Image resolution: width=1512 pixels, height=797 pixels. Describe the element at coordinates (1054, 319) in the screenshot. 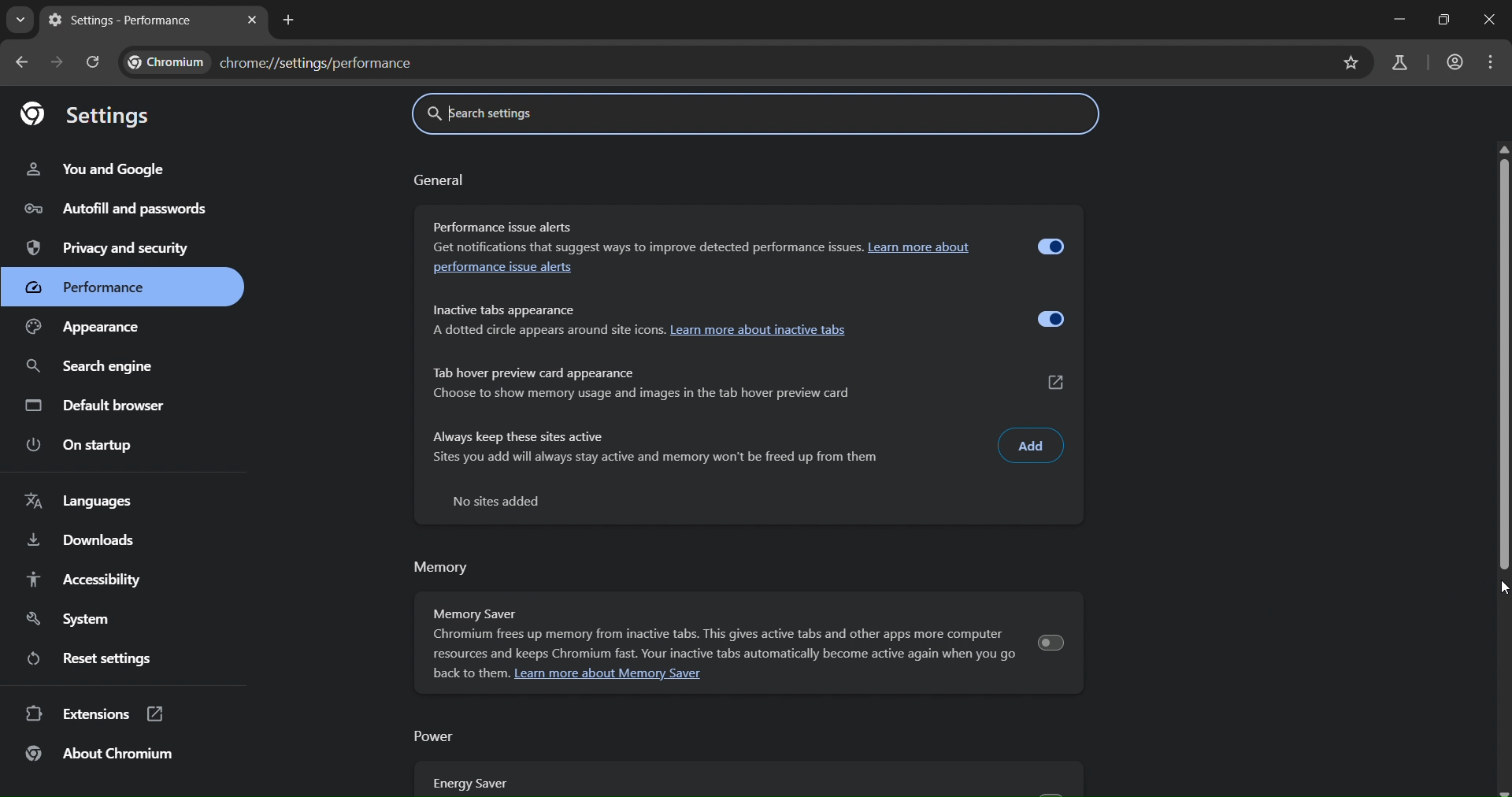

I see `toggle inactive tab appearance` at that location.